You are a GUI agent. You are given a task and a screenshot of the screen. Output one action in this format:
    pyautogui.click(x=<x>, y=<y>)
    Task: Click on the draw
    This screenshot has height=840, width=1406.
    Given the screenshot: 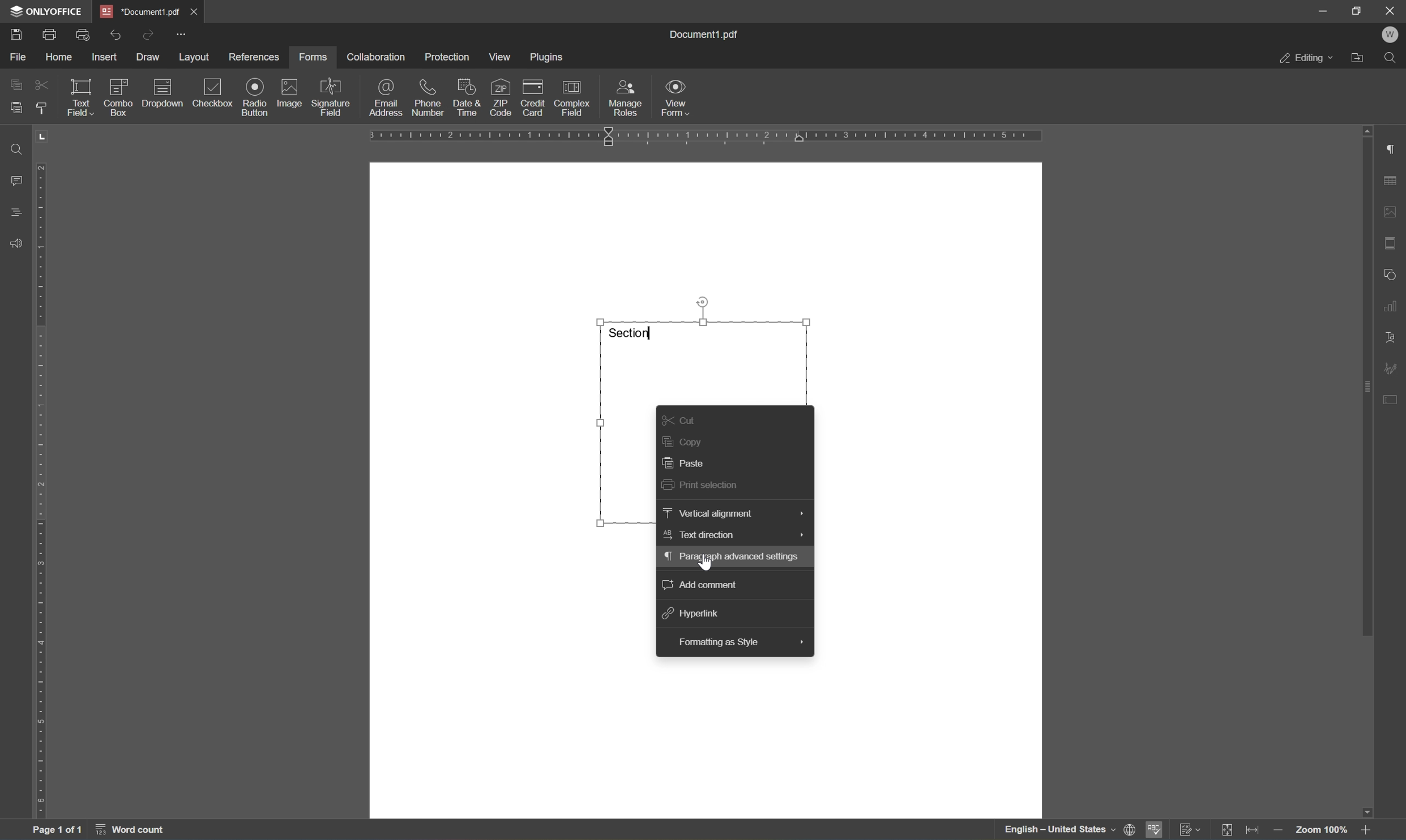 What is the action you would take?
    pyautogui.click(x=149, y=57)
    